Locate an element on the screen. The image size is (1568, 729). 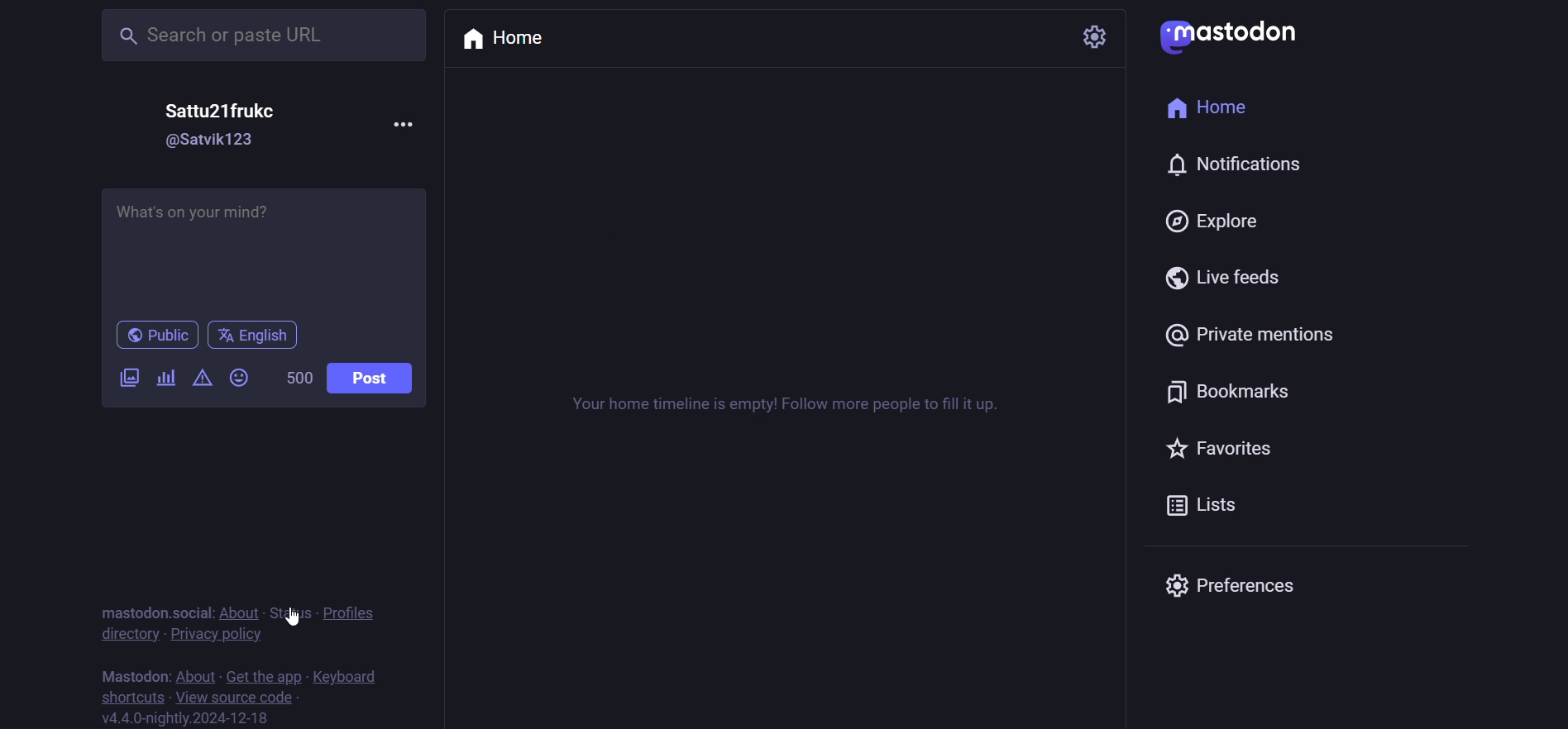
keyboard is located at coordinates (350, 676).